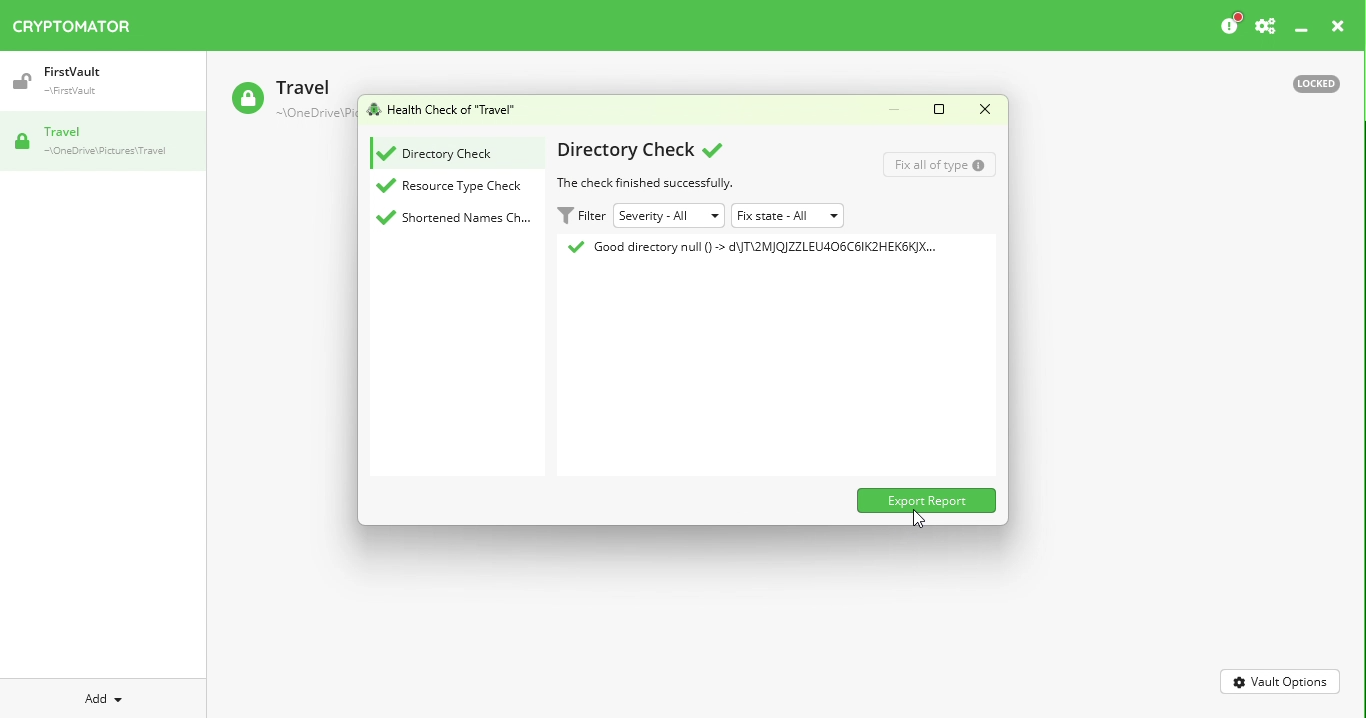 This screenshot has width=1366, height=718. I want to click on Locked, so click(1316, 84).